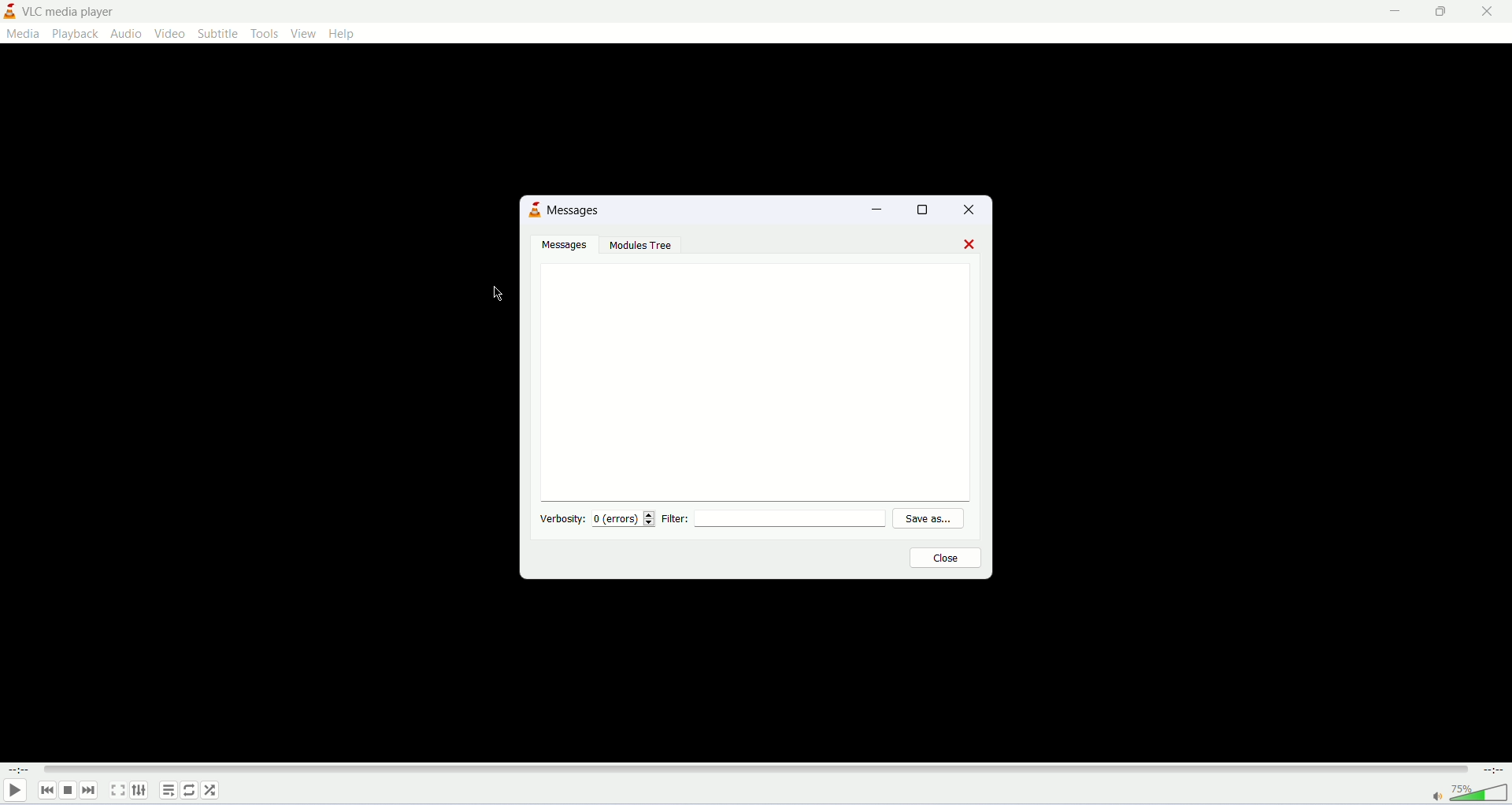 This screenshot has width=1512, height=805. What do you see at coordinates (342, 32) in the screenshot?
I see `help` at bounding box center [342, 32].